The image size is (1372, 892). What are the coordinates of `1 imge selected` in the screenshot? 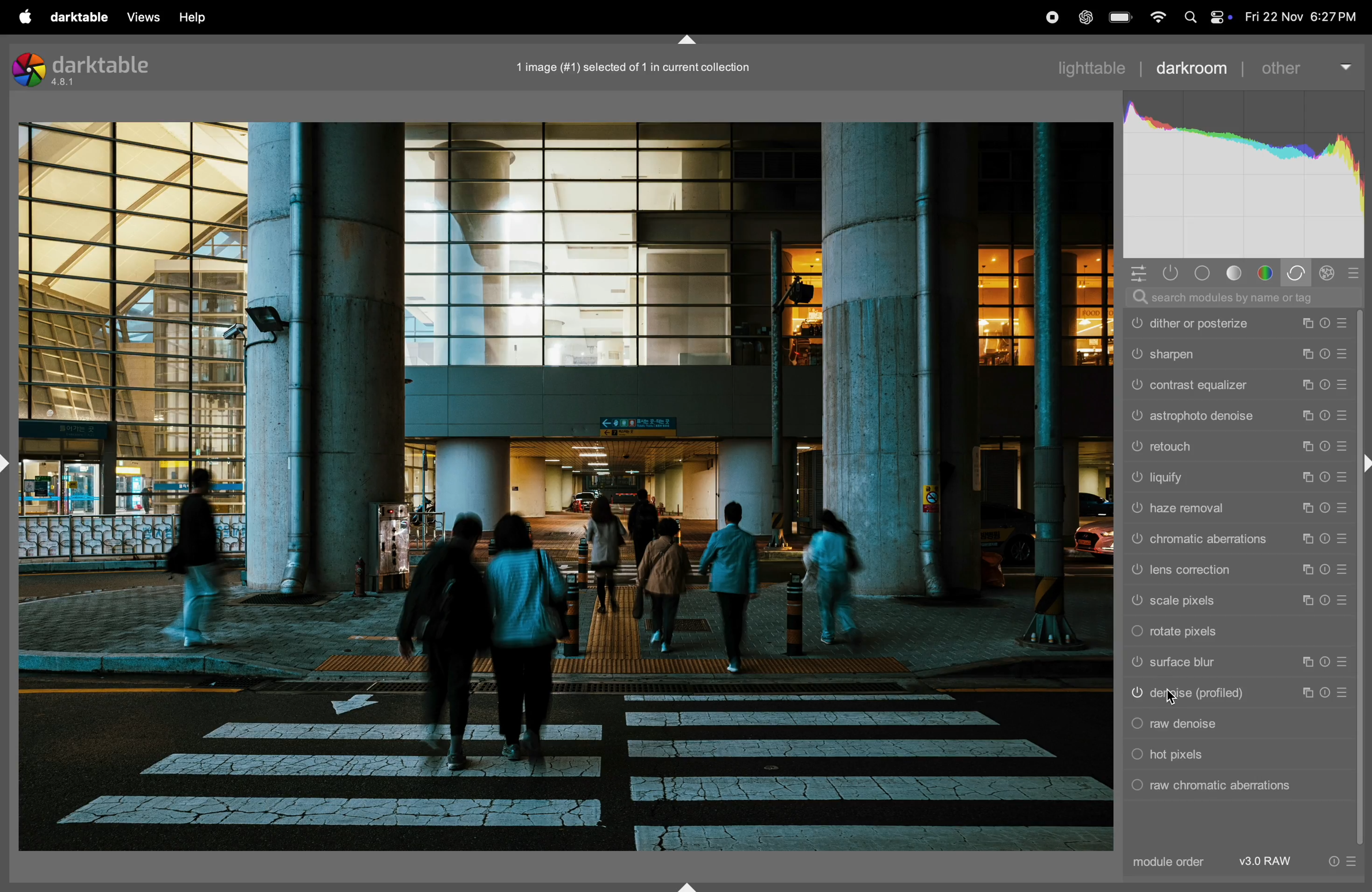 It's located at (636, 67).